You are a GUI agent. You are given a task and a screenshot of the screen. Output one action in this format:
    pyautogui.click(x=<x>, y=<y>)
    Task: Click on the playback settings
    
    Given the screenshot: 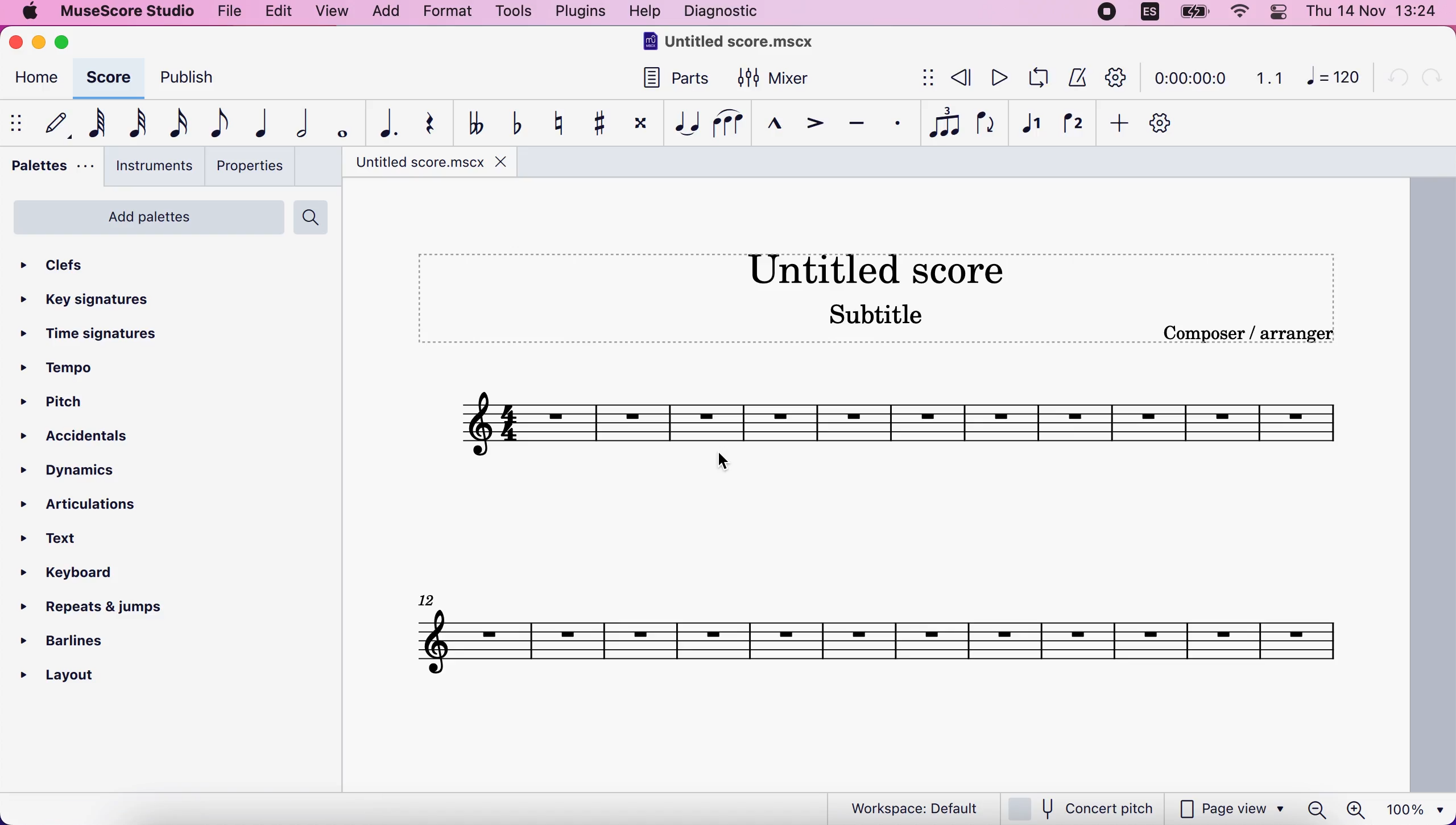 What is the action you would take?
    pyautogui.click(x=1116, y=77)
    